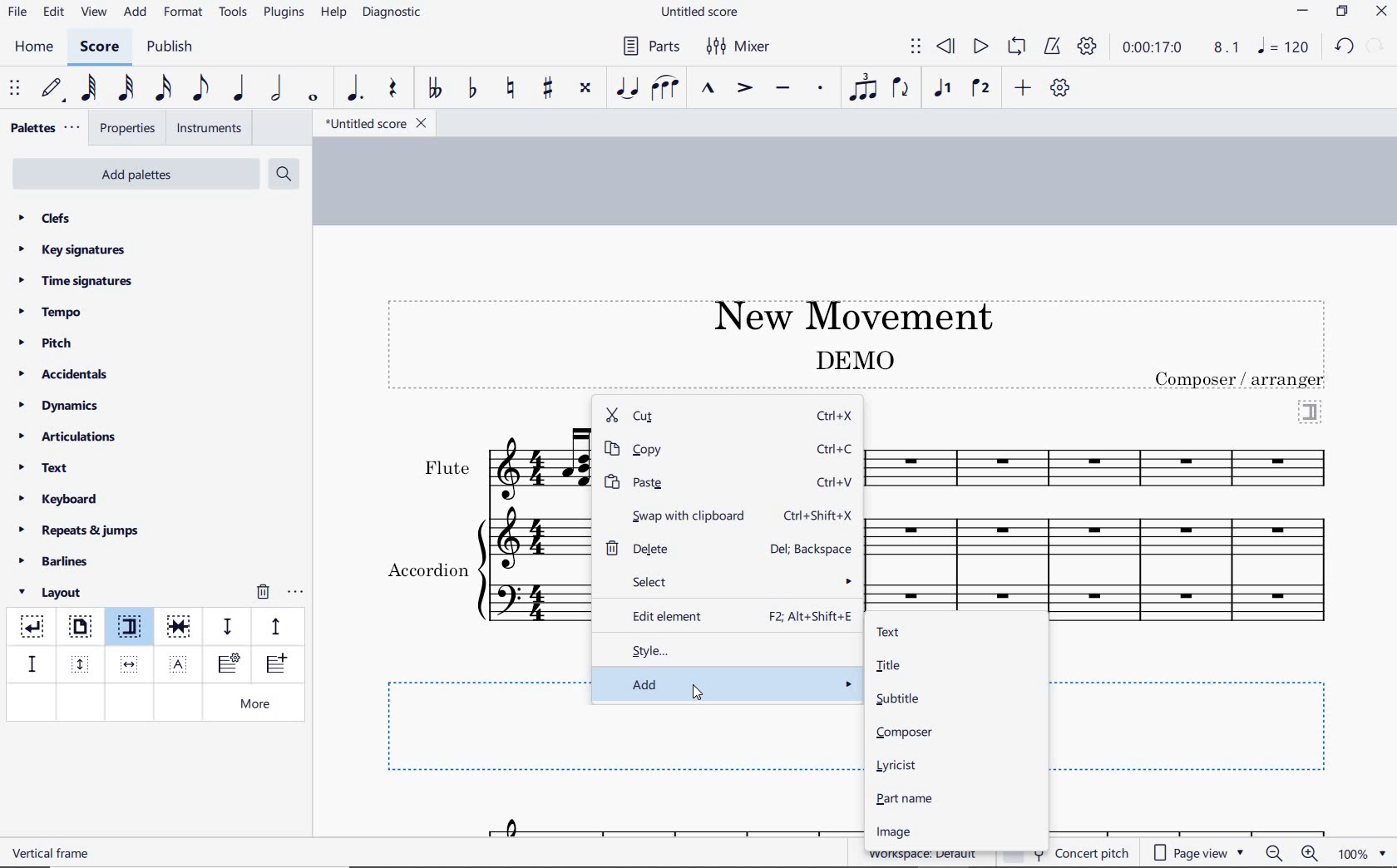  What do you see at coordinates (1285, 47) in the screenshot?
I see `NOTE` at bounding box center [1285, 47].